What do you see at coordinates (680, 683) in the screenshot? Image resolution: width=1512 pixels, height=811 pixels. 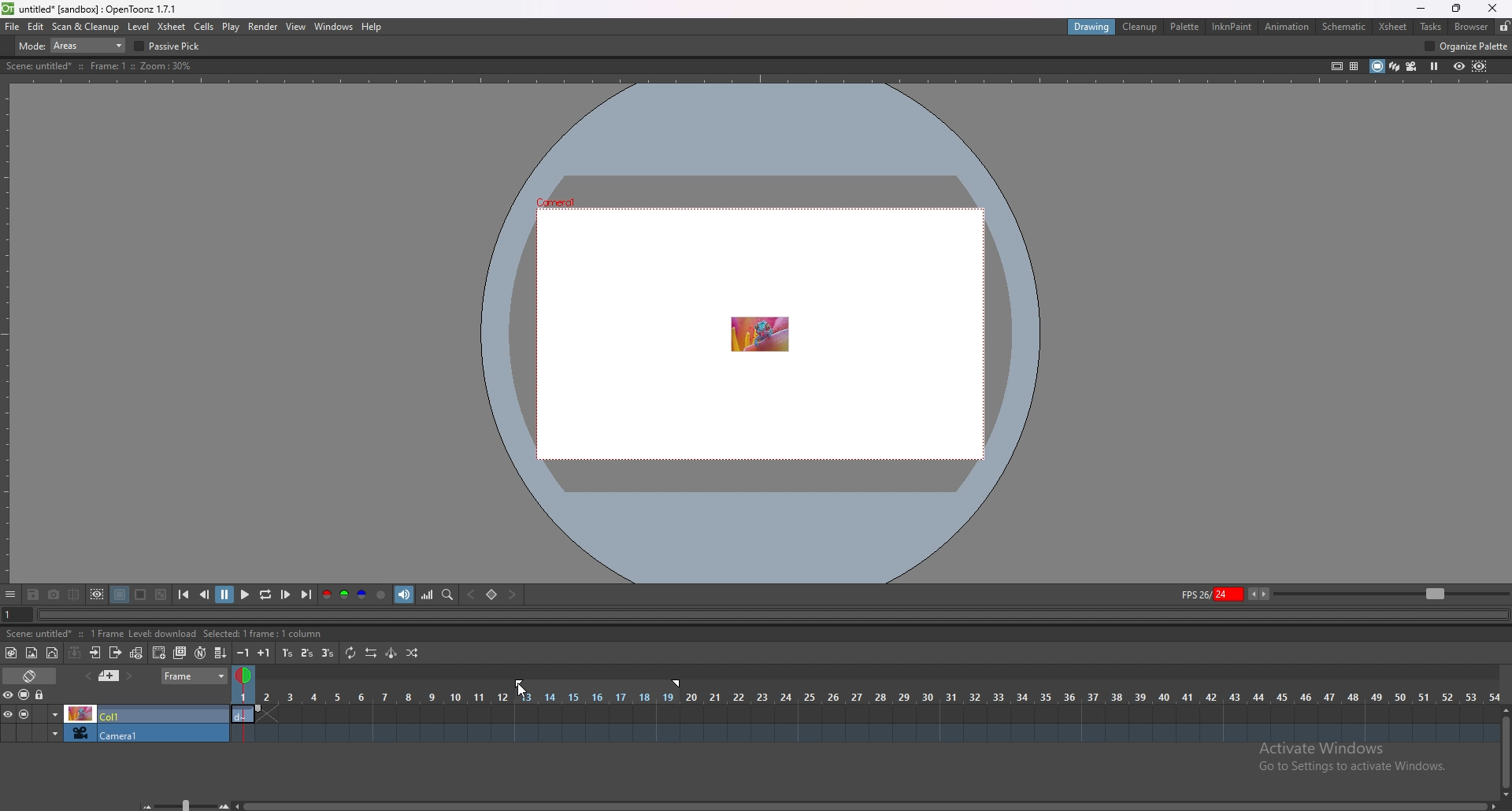 I see `end frame` at bounding box center [680, 683].